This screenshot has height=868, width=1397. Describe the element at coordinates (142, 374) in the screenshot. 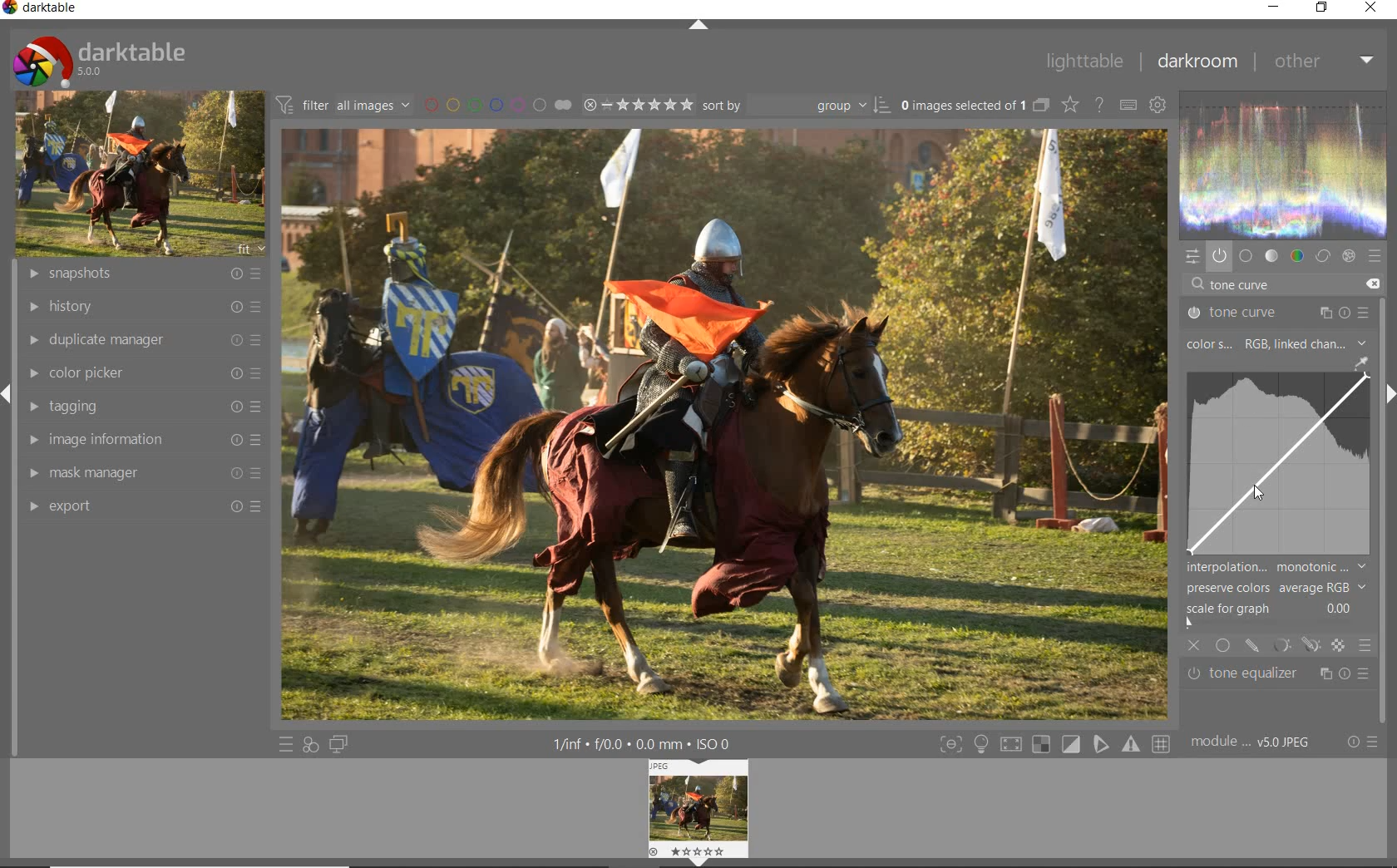

I see `color picker` at that location.